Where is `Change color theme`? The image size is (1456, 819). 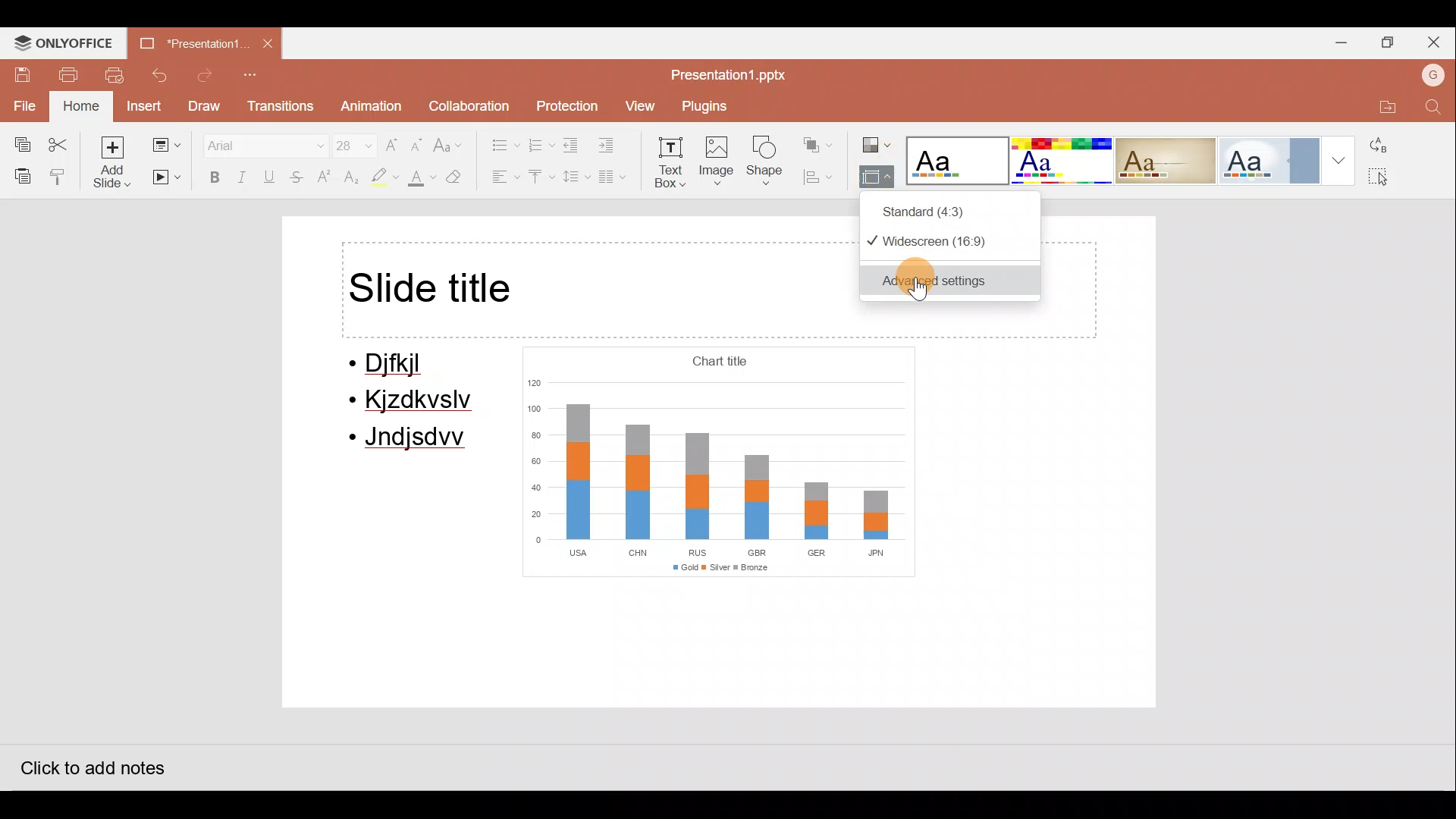
Change color theme is located at coordinates (877, 140).